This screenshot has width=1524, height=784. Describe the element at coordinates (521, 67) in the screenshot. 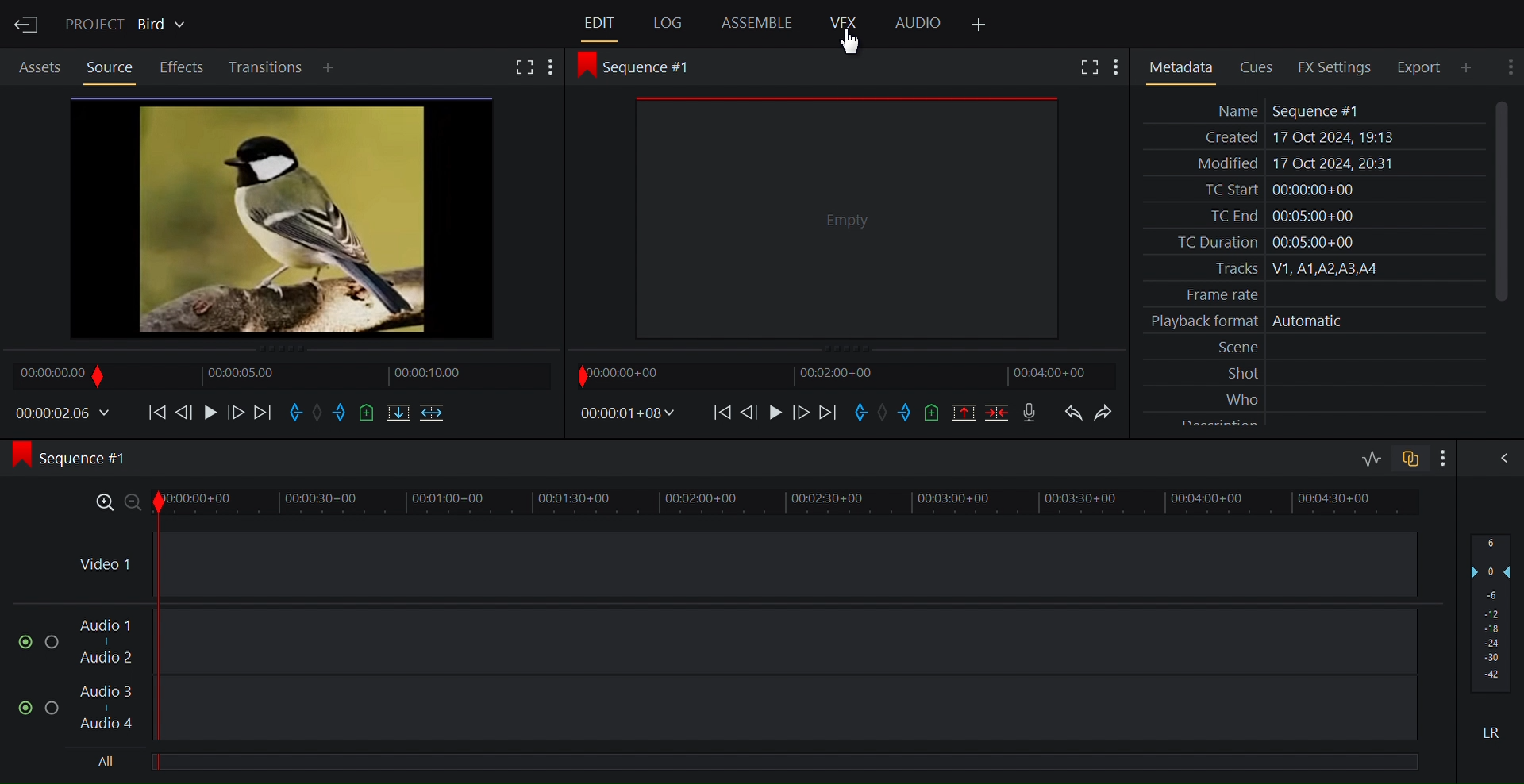

I see `Fullscreen` at that location.